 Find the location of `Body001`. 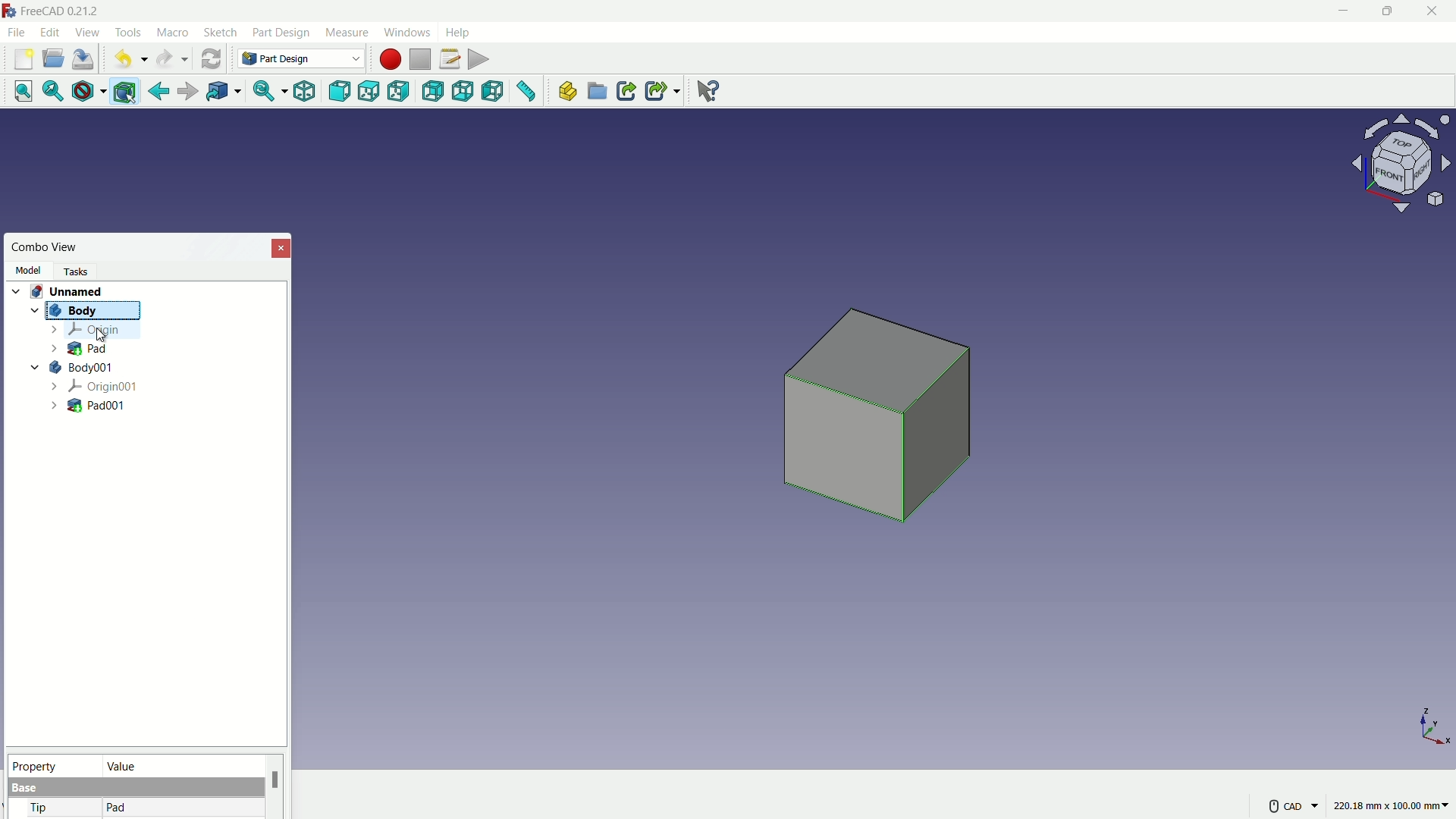

Body001 is located at coordinates (72, 366).